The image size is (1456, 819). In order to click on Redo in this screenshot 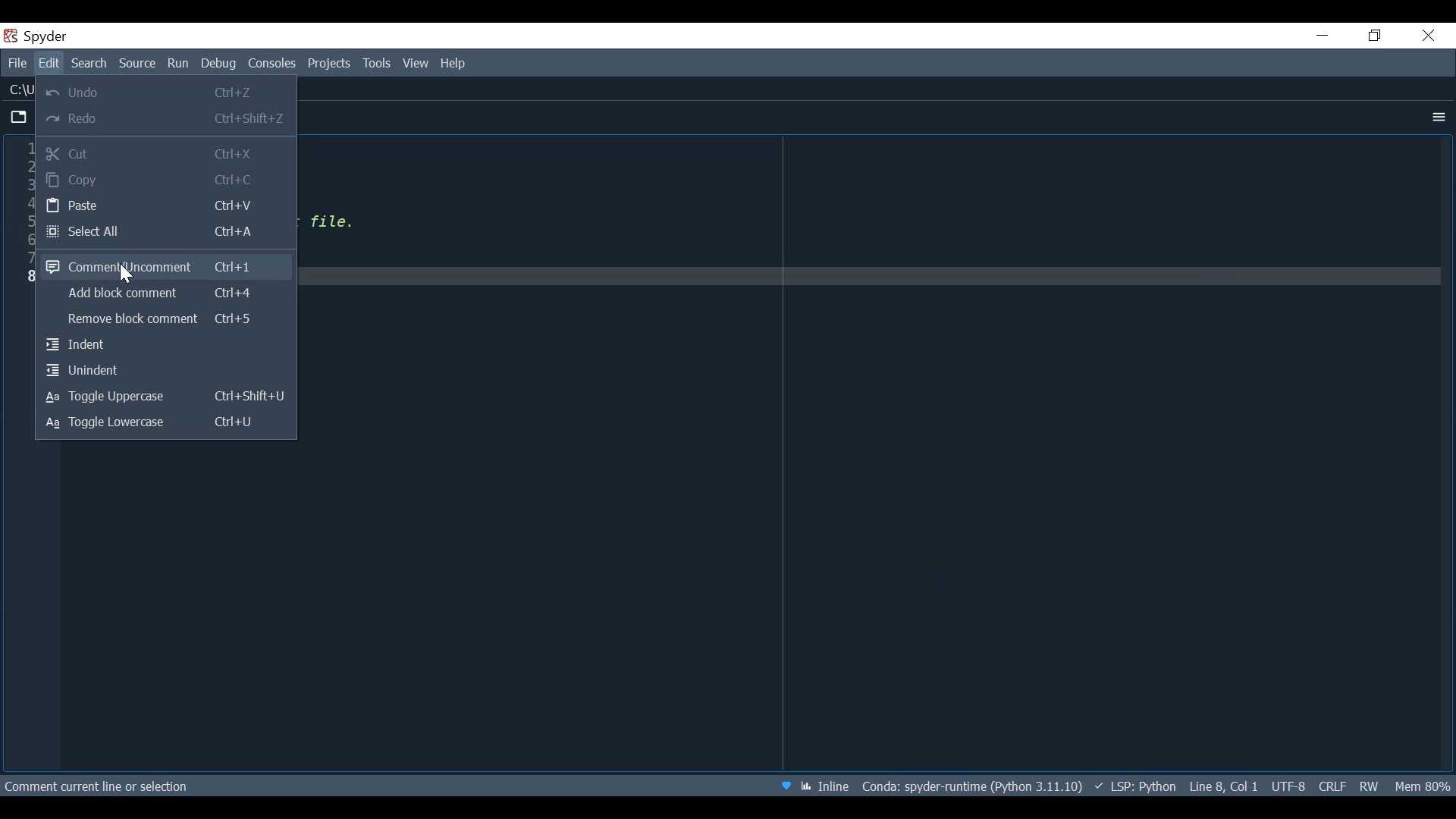, I will do `click(165, 120)`.